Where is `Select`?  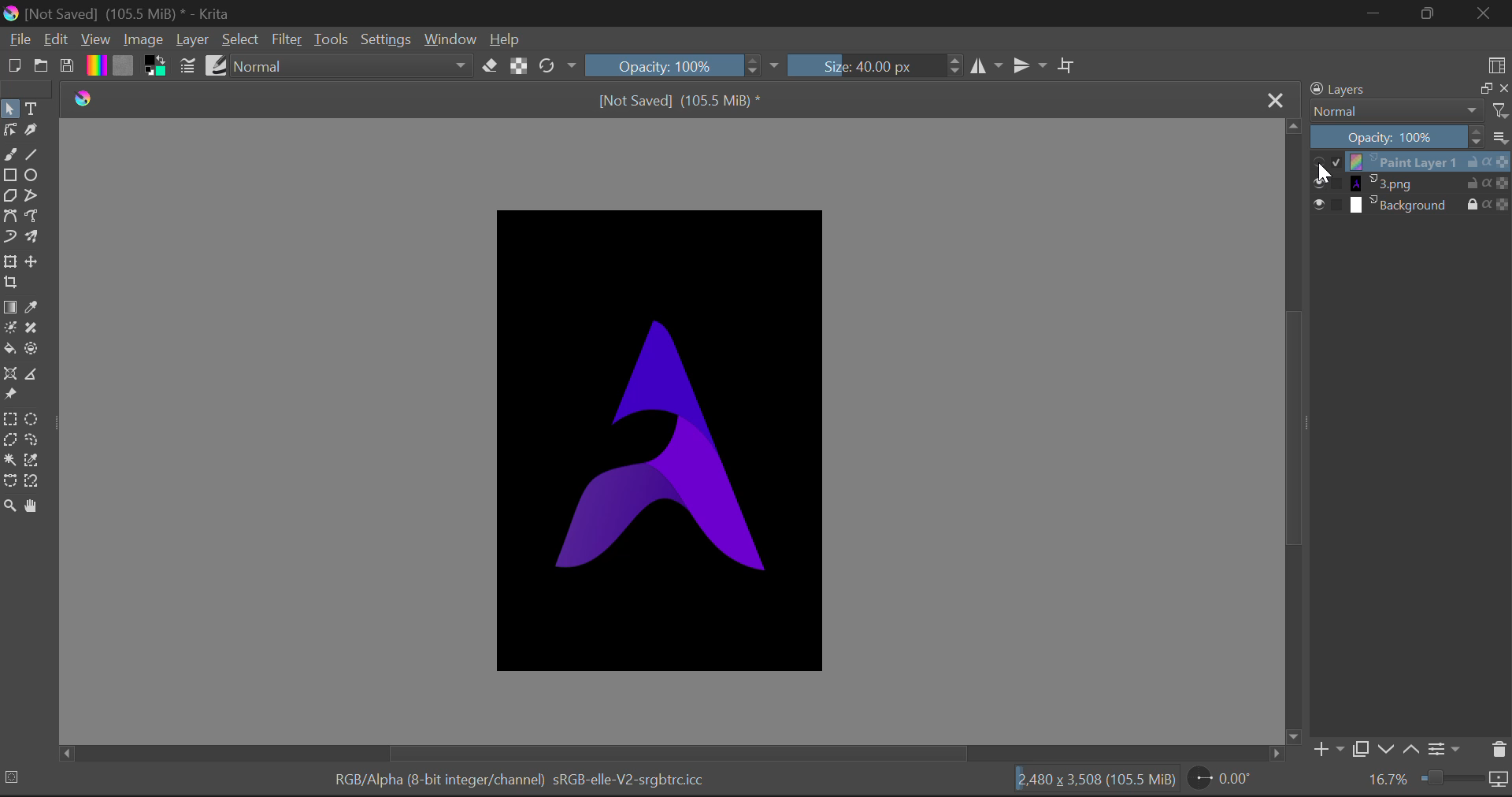
Select is located at coordinates (243, 42).